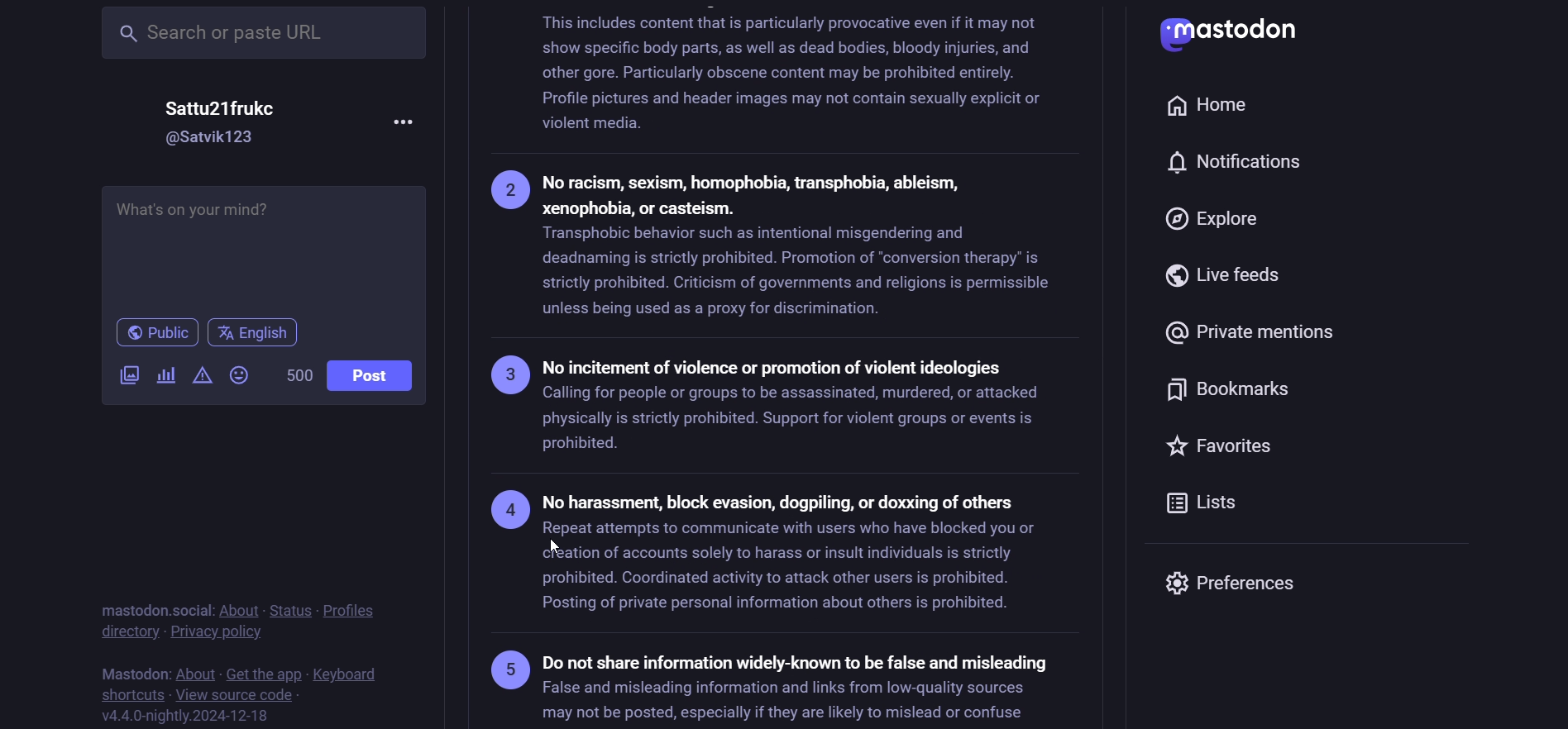  Describe the element at coordinates (218, 631) in the screenshot. I see `privacy policy` at that location.